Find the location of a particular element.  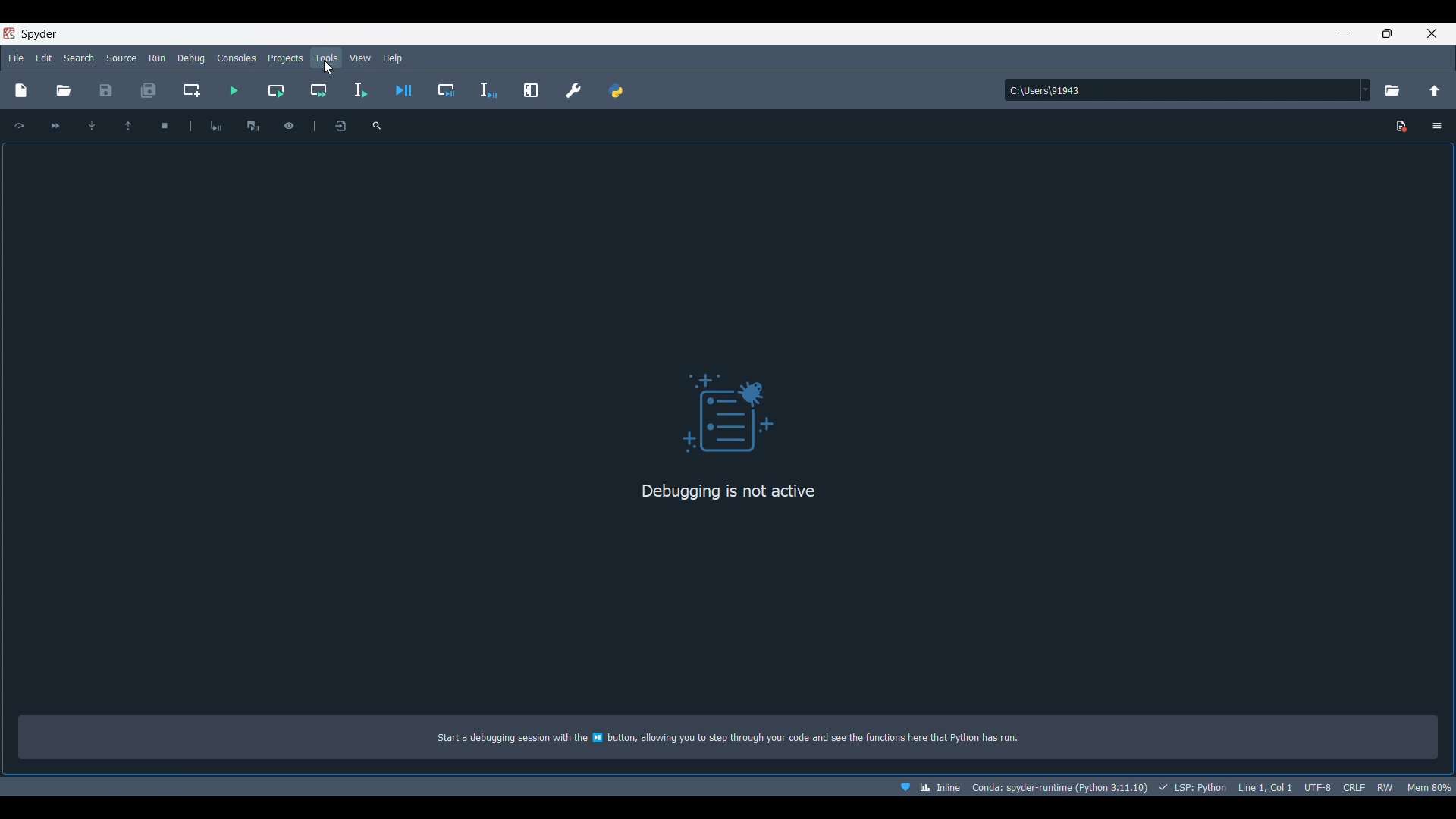

Save all is located at coordinates (149, 90).